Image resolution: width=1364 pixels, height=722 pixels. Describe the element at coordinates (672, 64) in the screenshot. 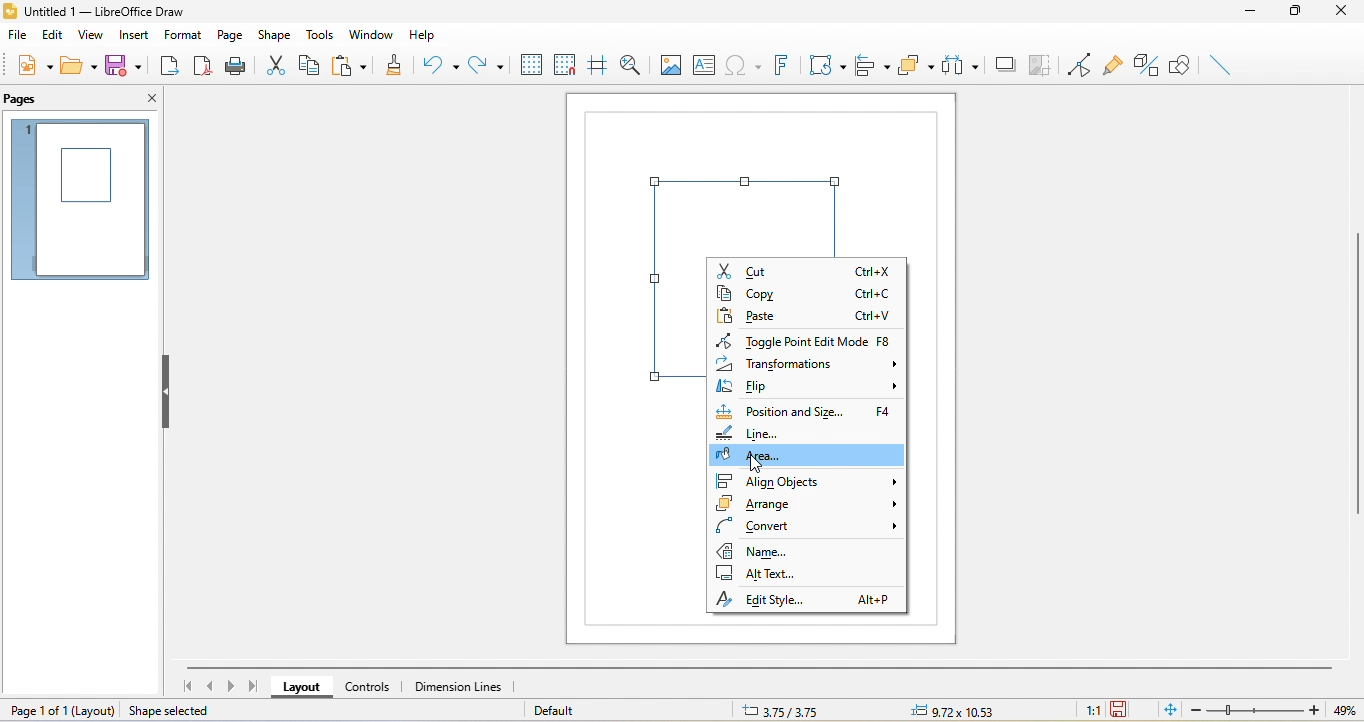

I see `image` at that location.